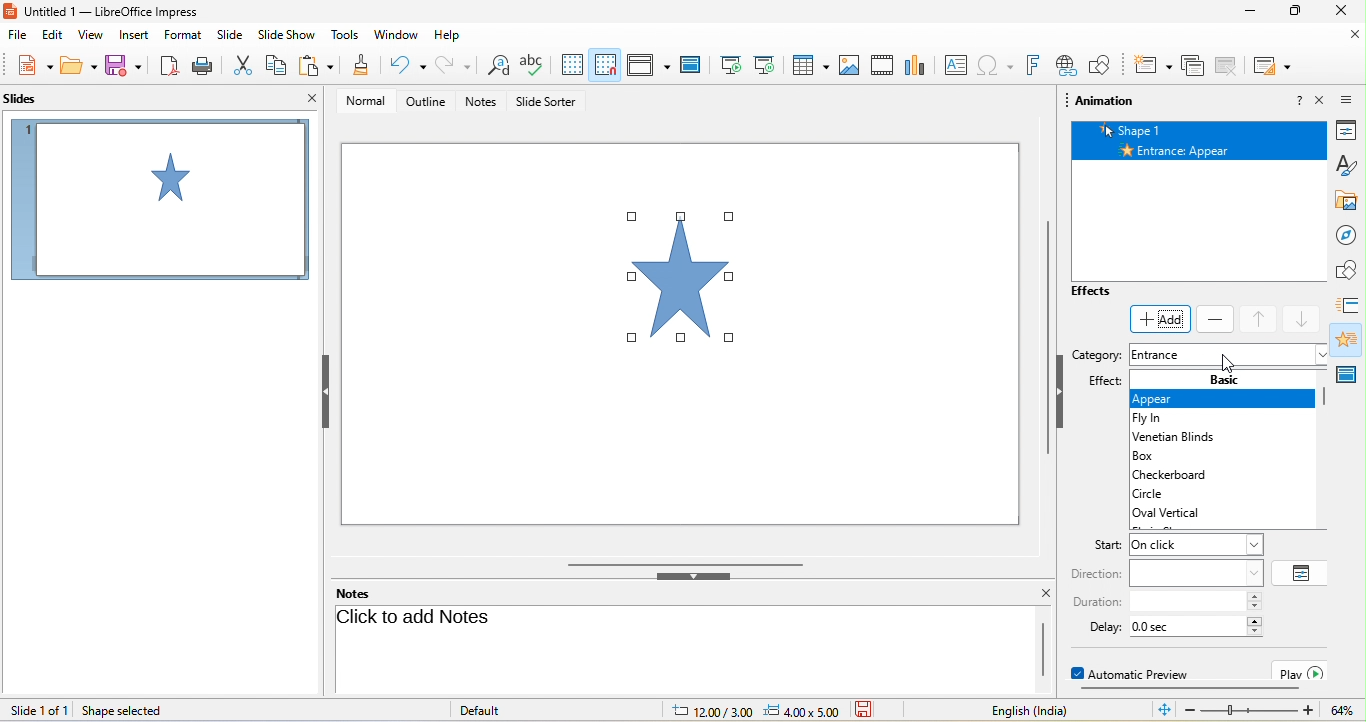 This screenshot has width=1366, height=722. Describe the element at coordinates (1032, 66) in the screenshot. I see `fontwork text` at that location.